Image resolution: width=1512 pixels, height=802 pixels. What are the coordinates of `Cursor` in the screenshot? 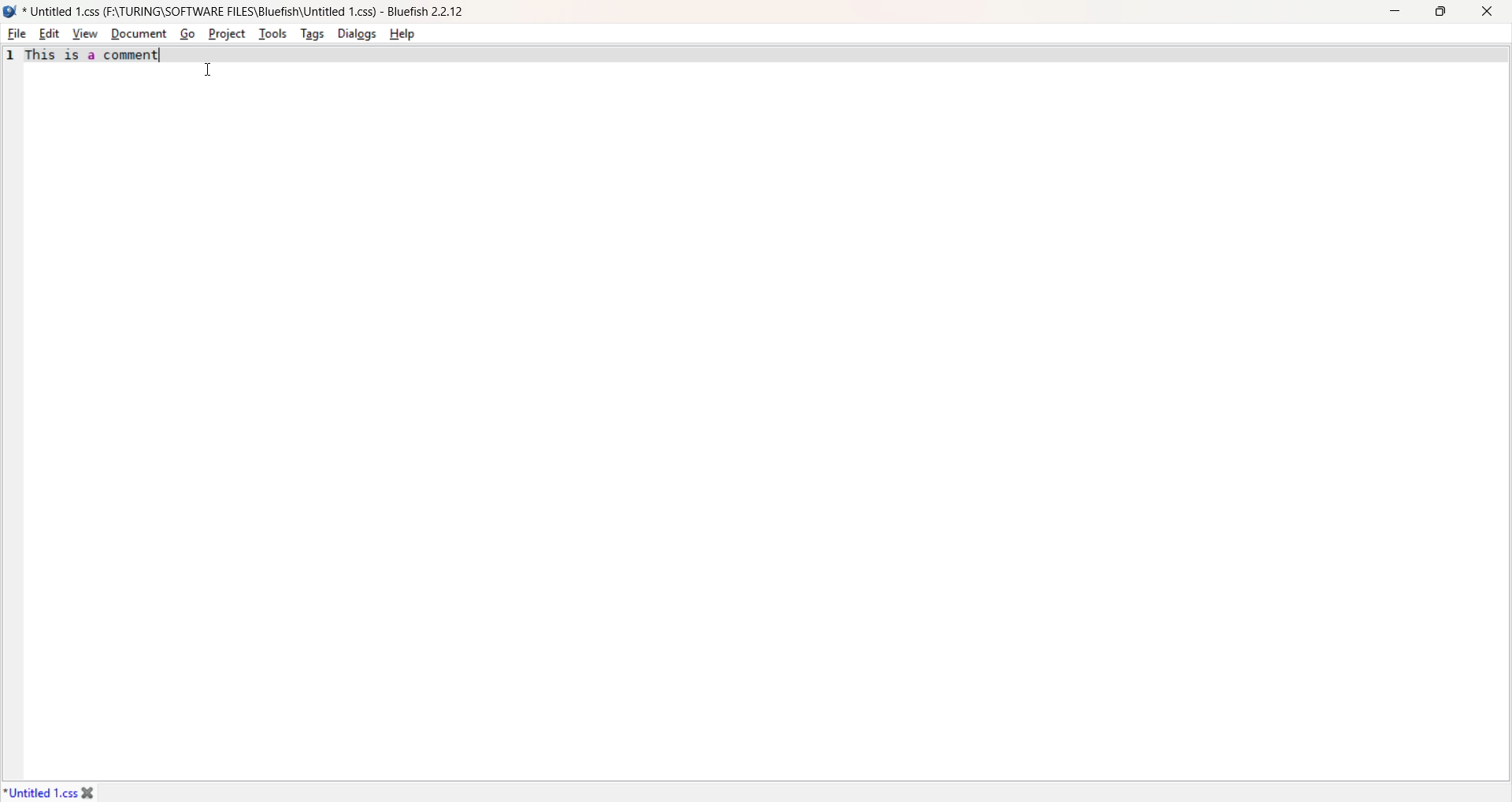 It's located at (205, 70).